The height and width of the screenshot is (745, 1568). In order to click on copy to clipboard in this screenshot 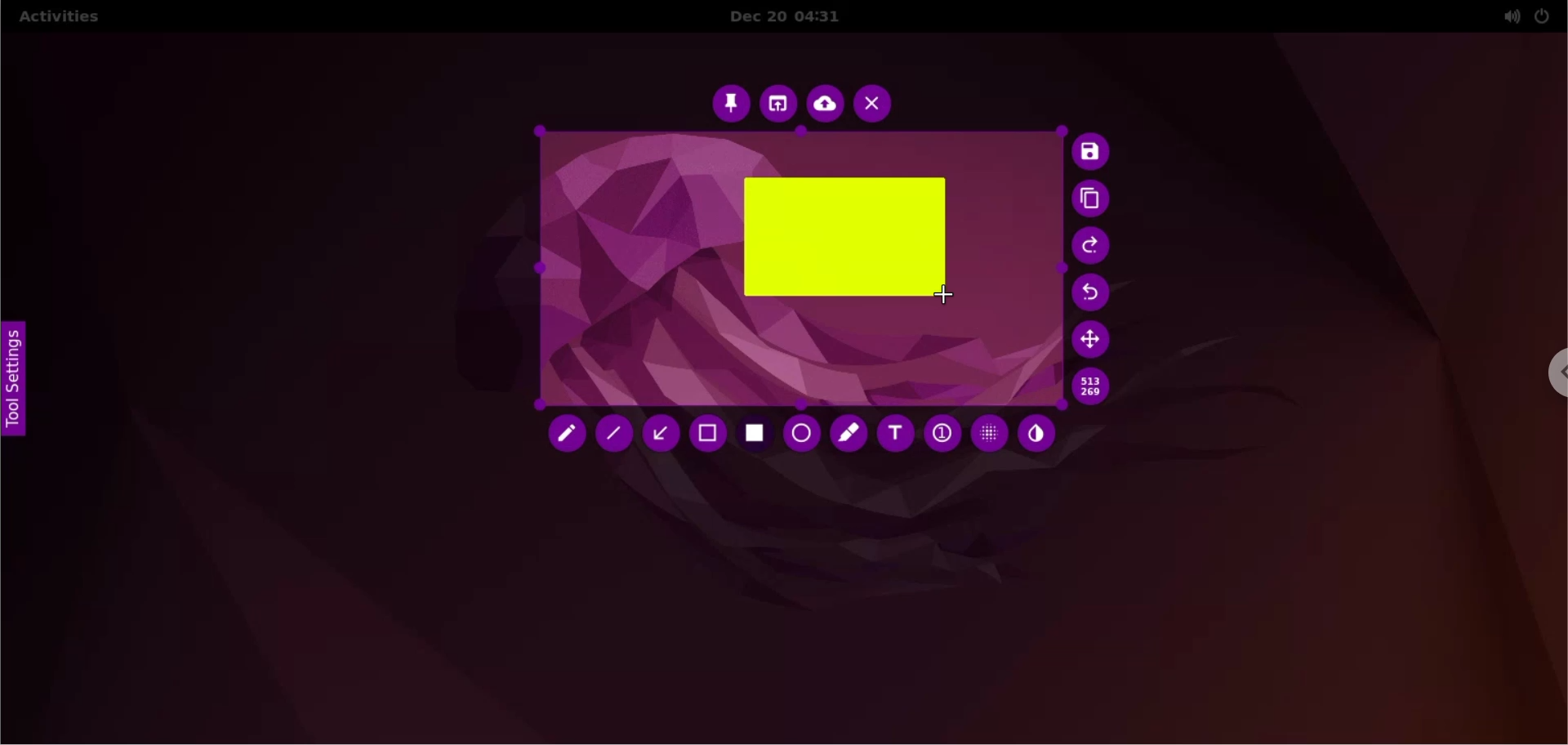, I will do `click(1094, 200)`.